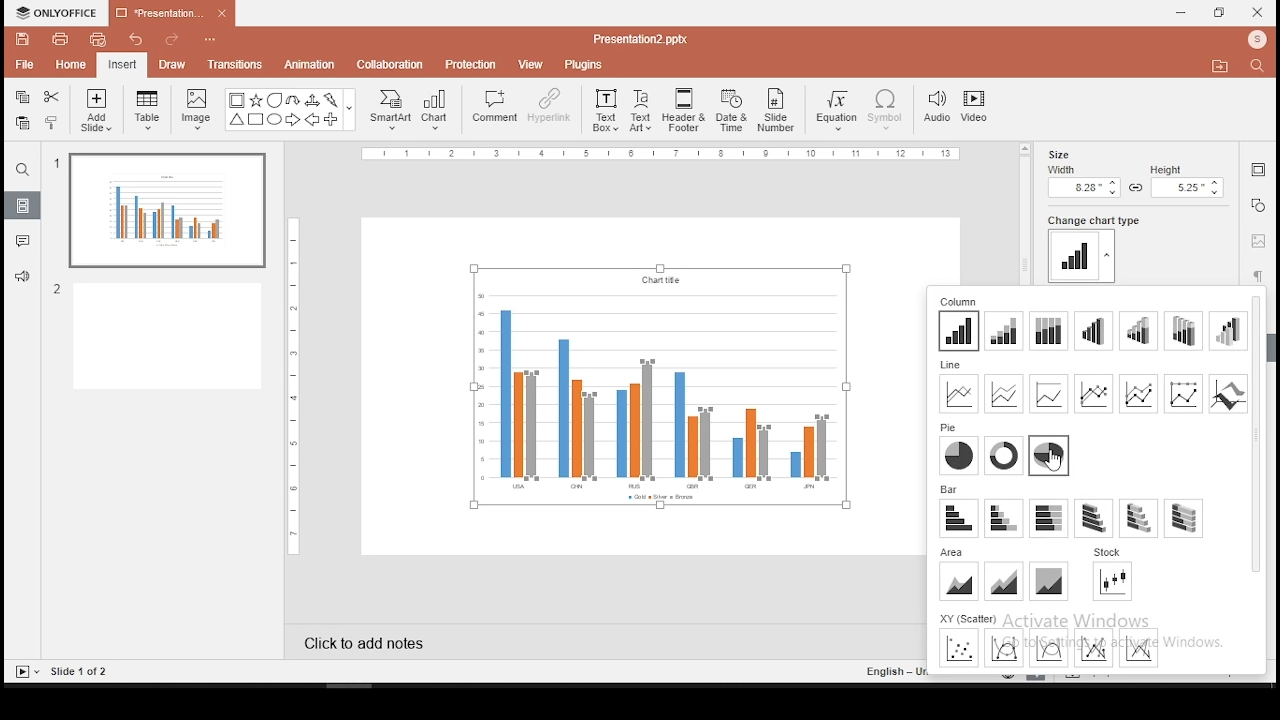  What do you see at coordinates (59, 12) in the screenshot?
I see `icon` at bounding box center [59, 12].